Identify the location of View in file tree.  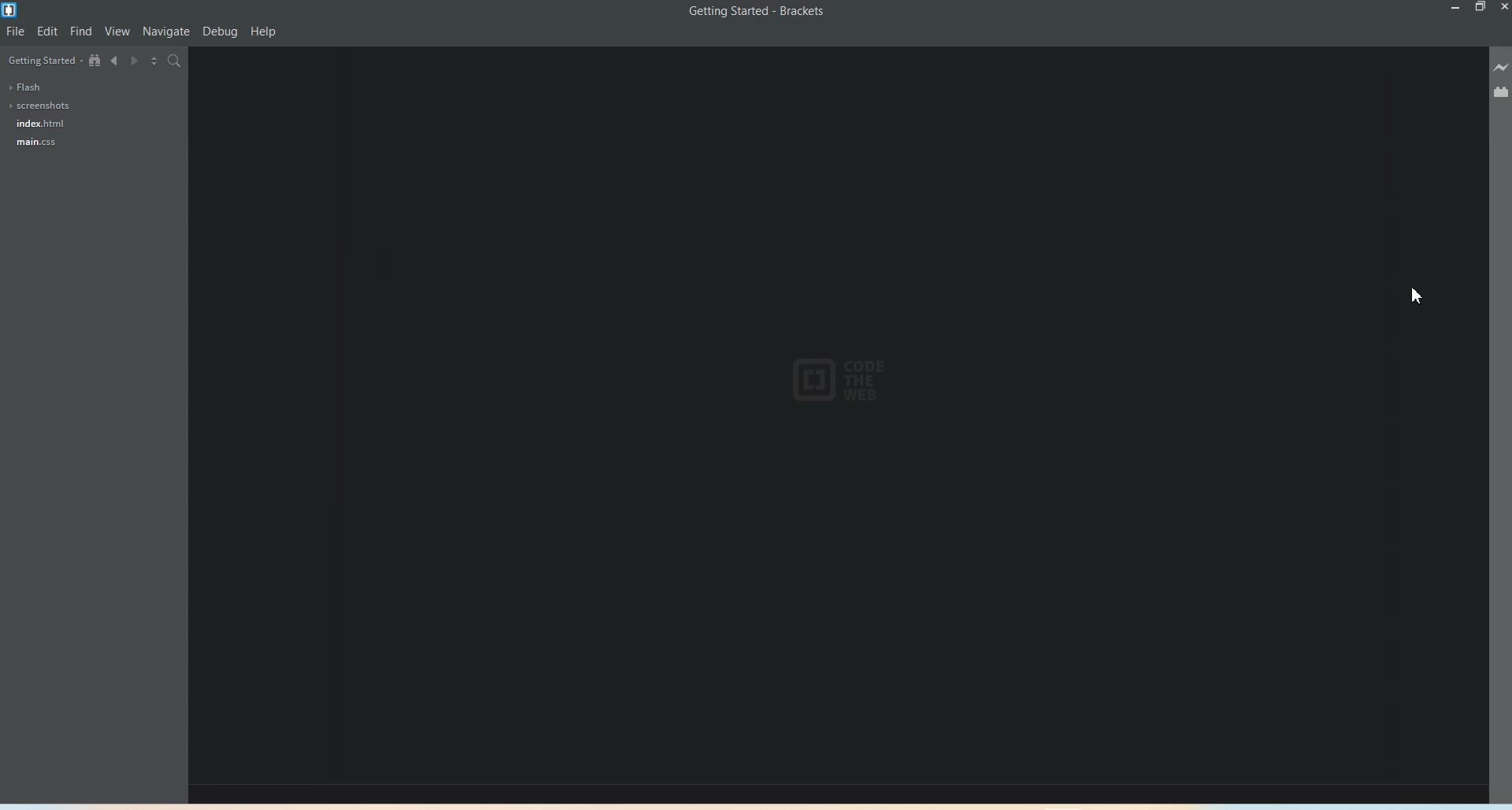
(95, 60).